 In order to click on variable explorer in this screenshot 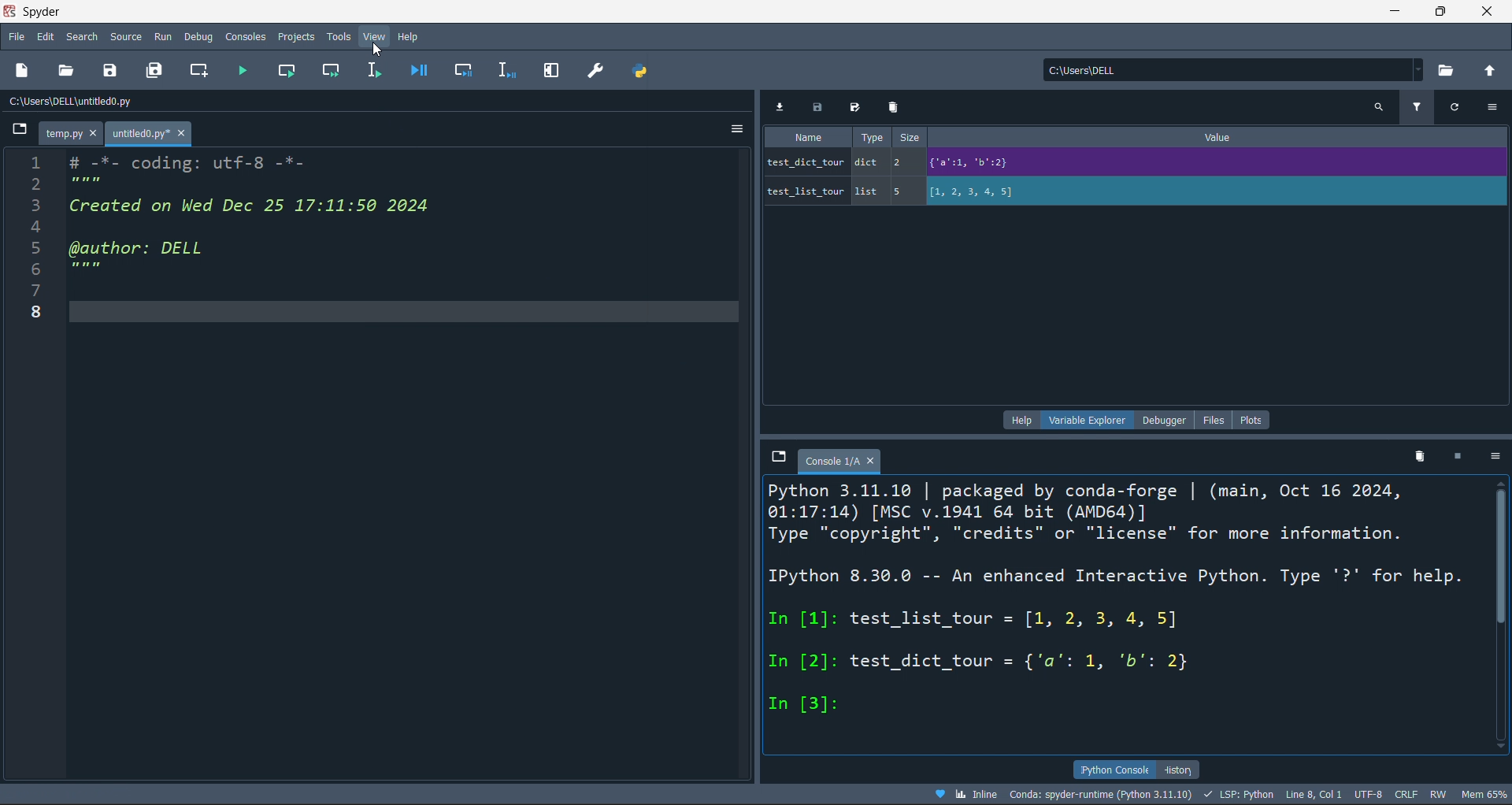, I will do `click(1087, 420)`.